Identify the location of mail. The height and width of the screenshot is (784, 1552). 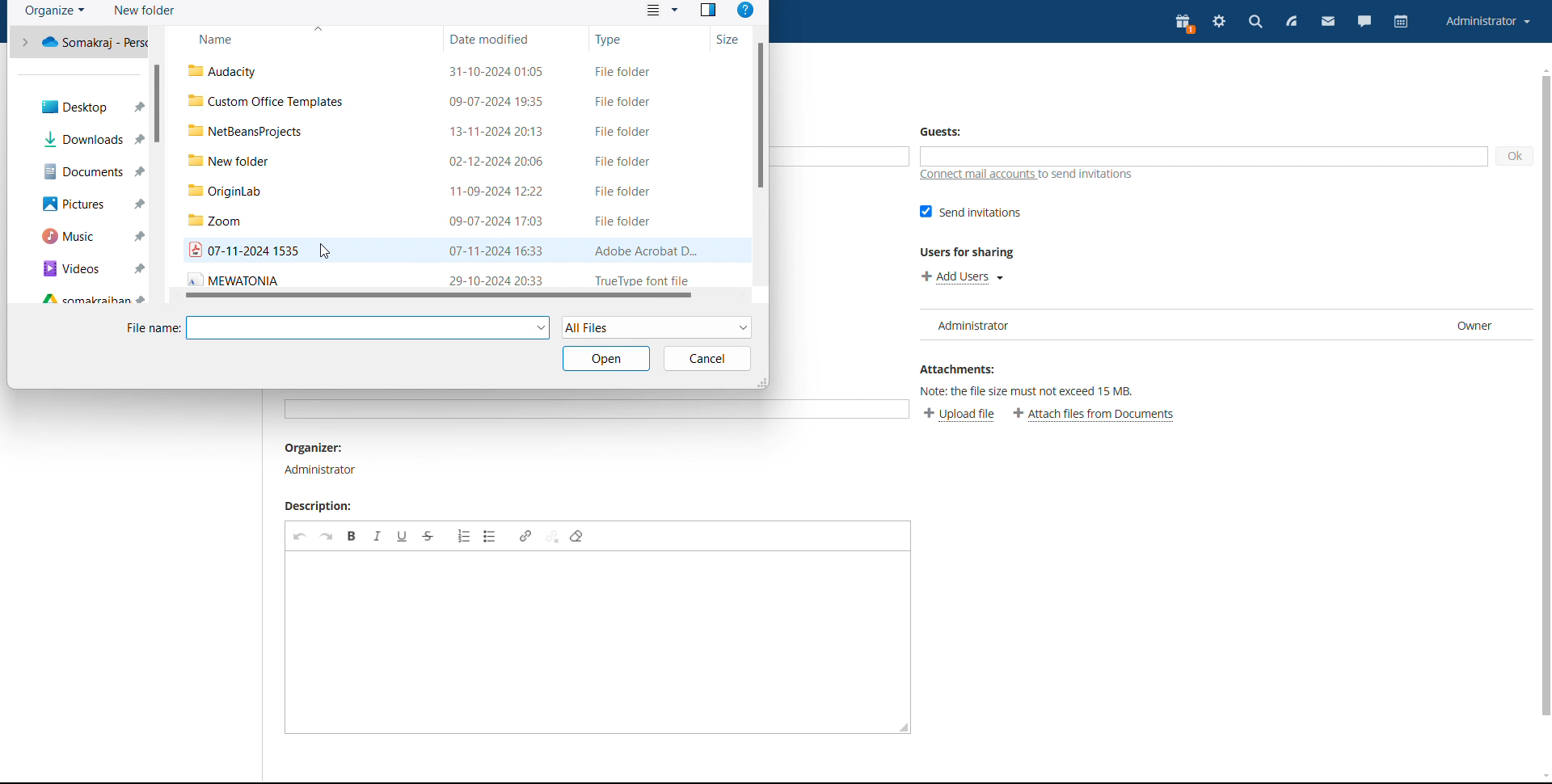
(1328, 22).